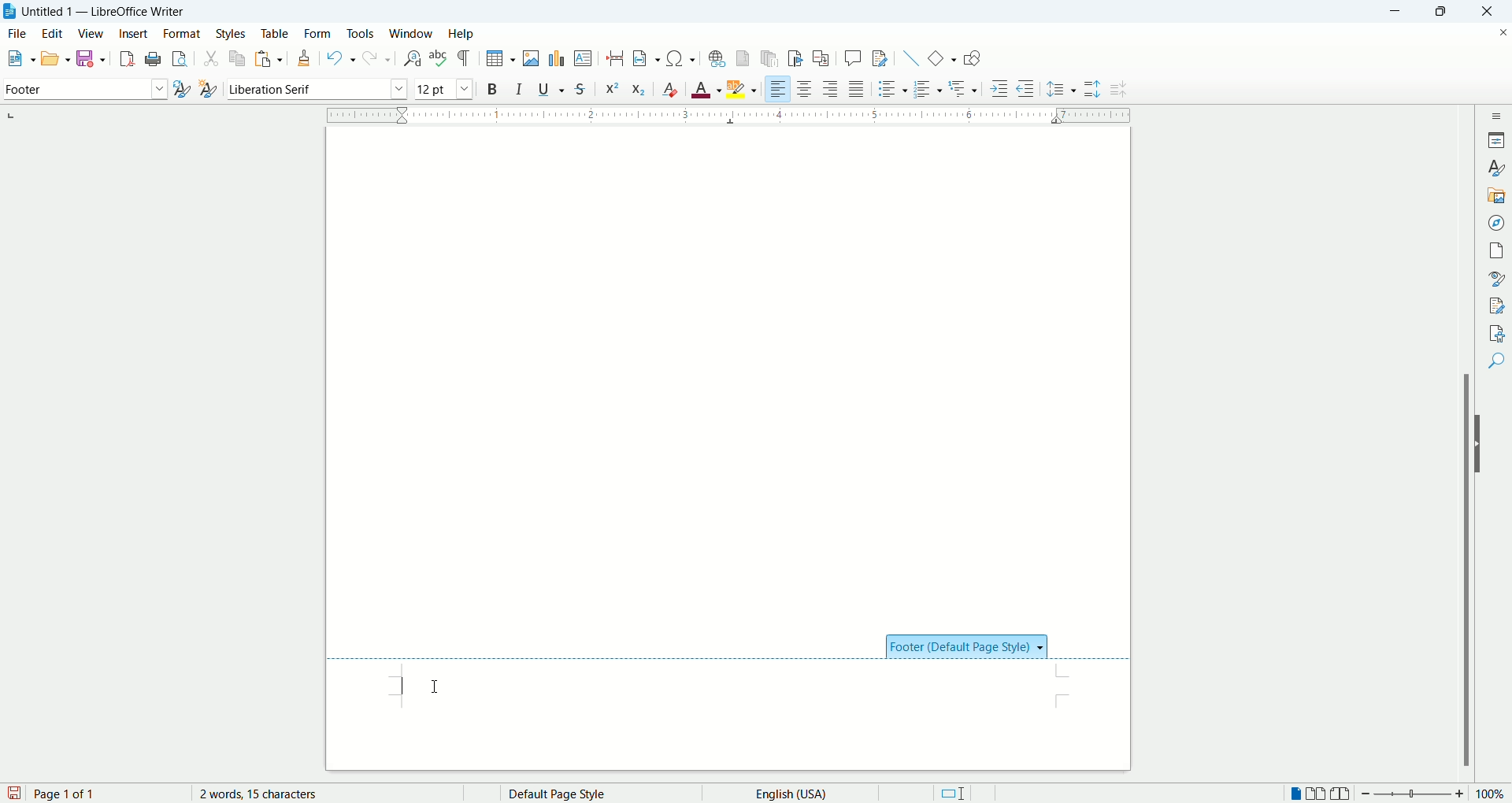 The height and width of the screenshot is (803, 1512). Describe the element at coordinates (1499, 360) in the screenshot. I see `find` at that location.